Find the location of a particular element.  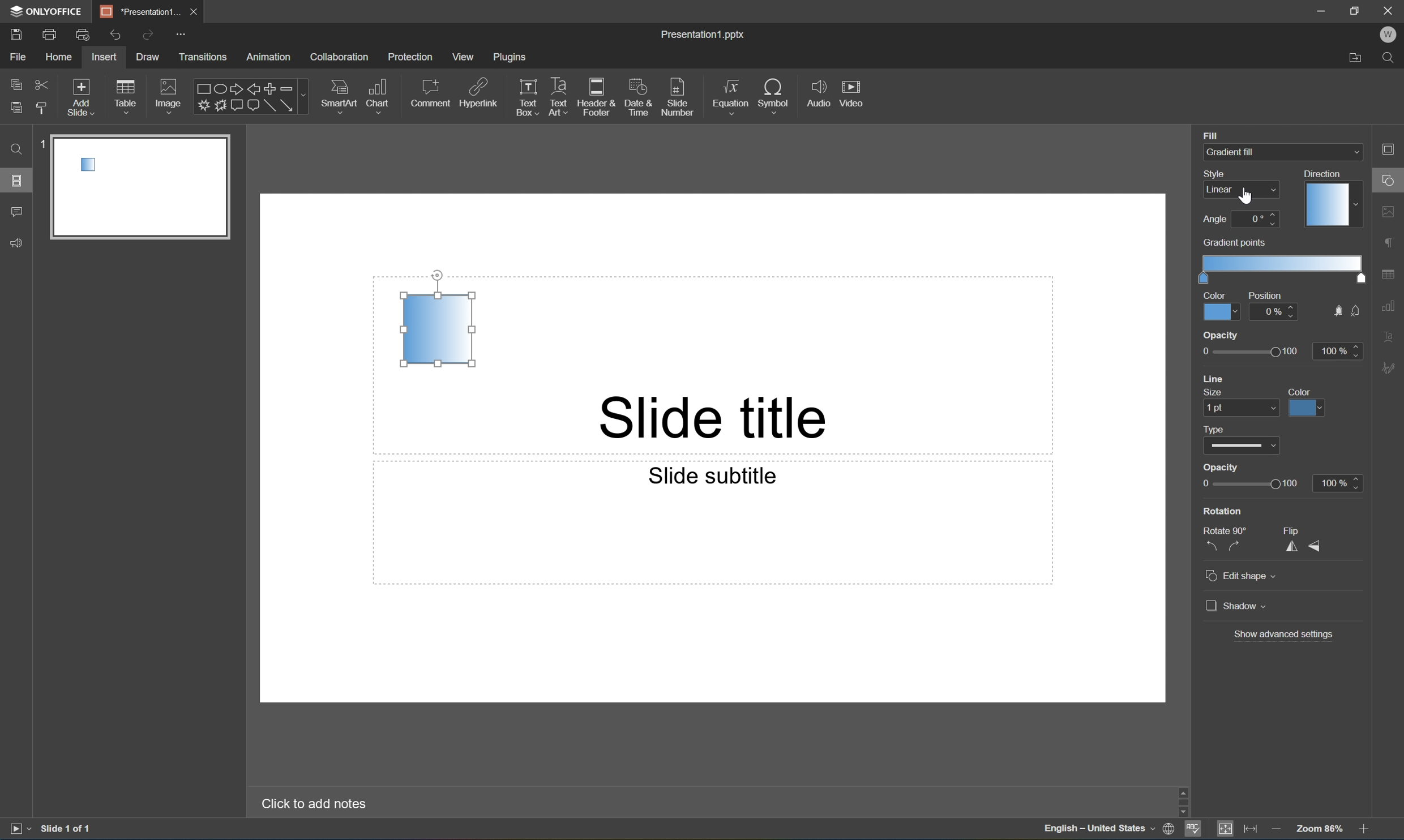

 is located at coordinates (220, 105).